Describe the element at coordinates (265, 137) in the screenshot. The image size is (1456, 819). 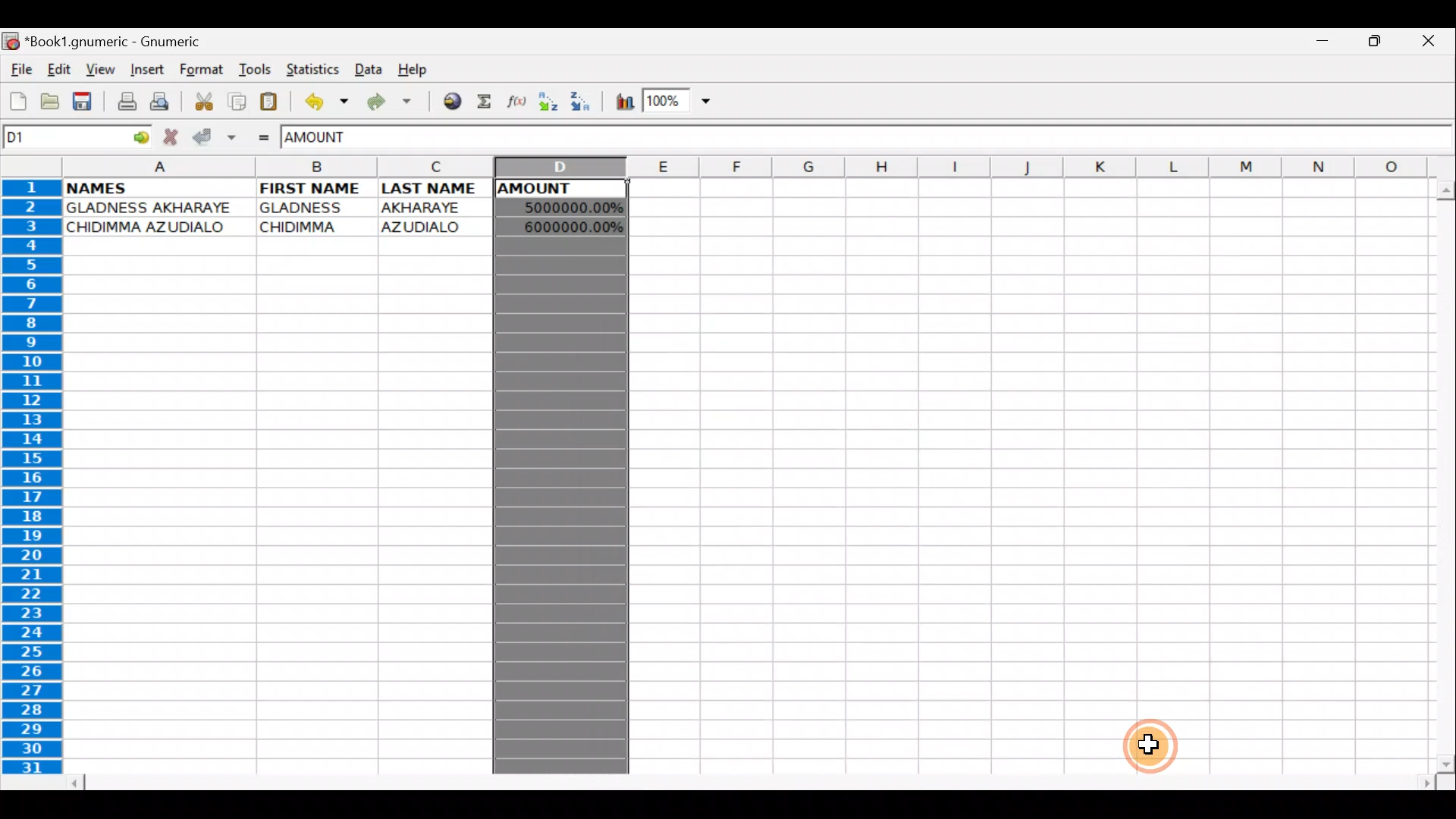
I see `Enter formula` at that location.